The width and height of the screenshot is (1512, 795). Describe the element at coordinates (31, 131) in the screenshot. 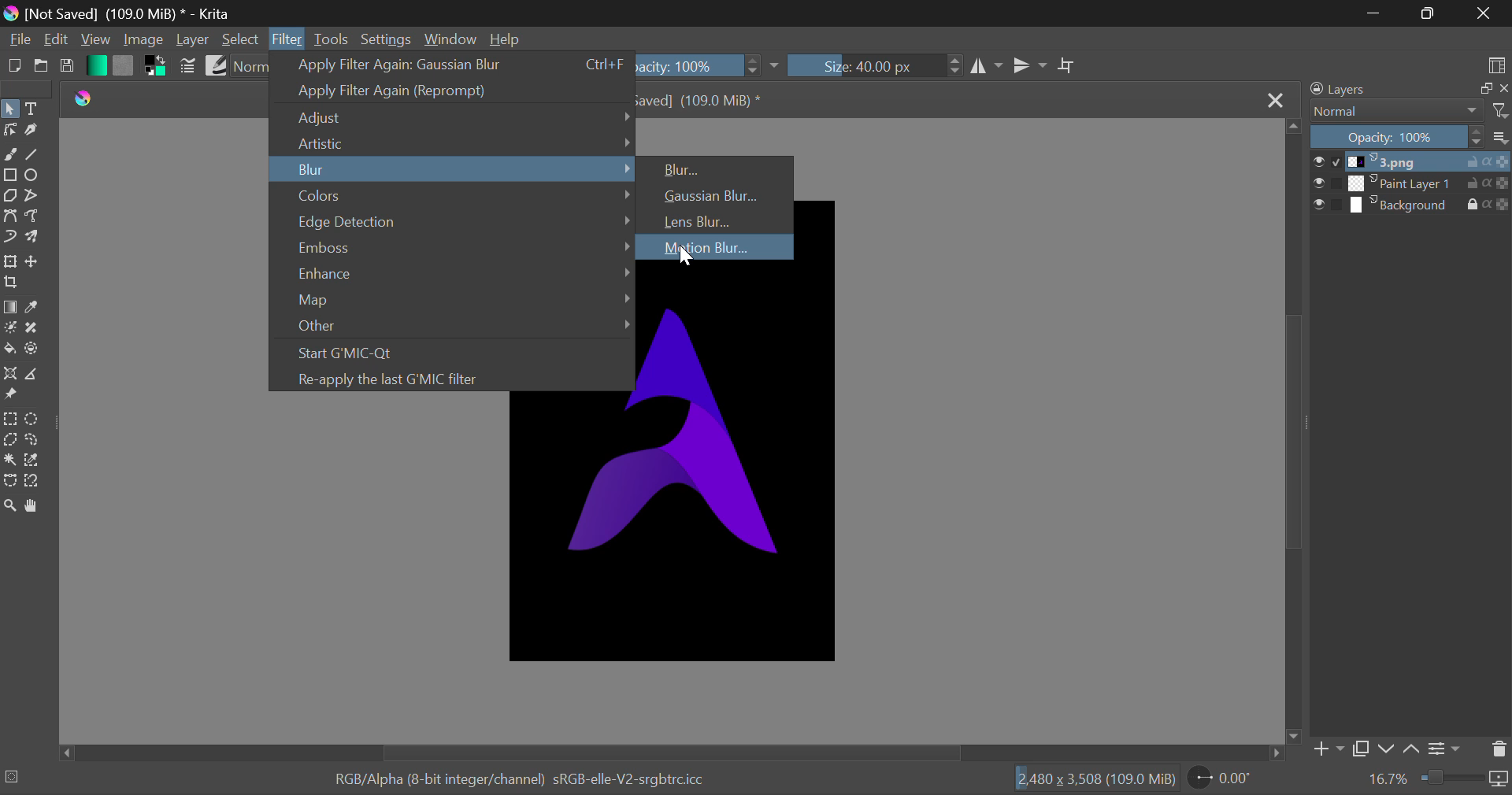

I see `Calligraphic Tool` at that location.